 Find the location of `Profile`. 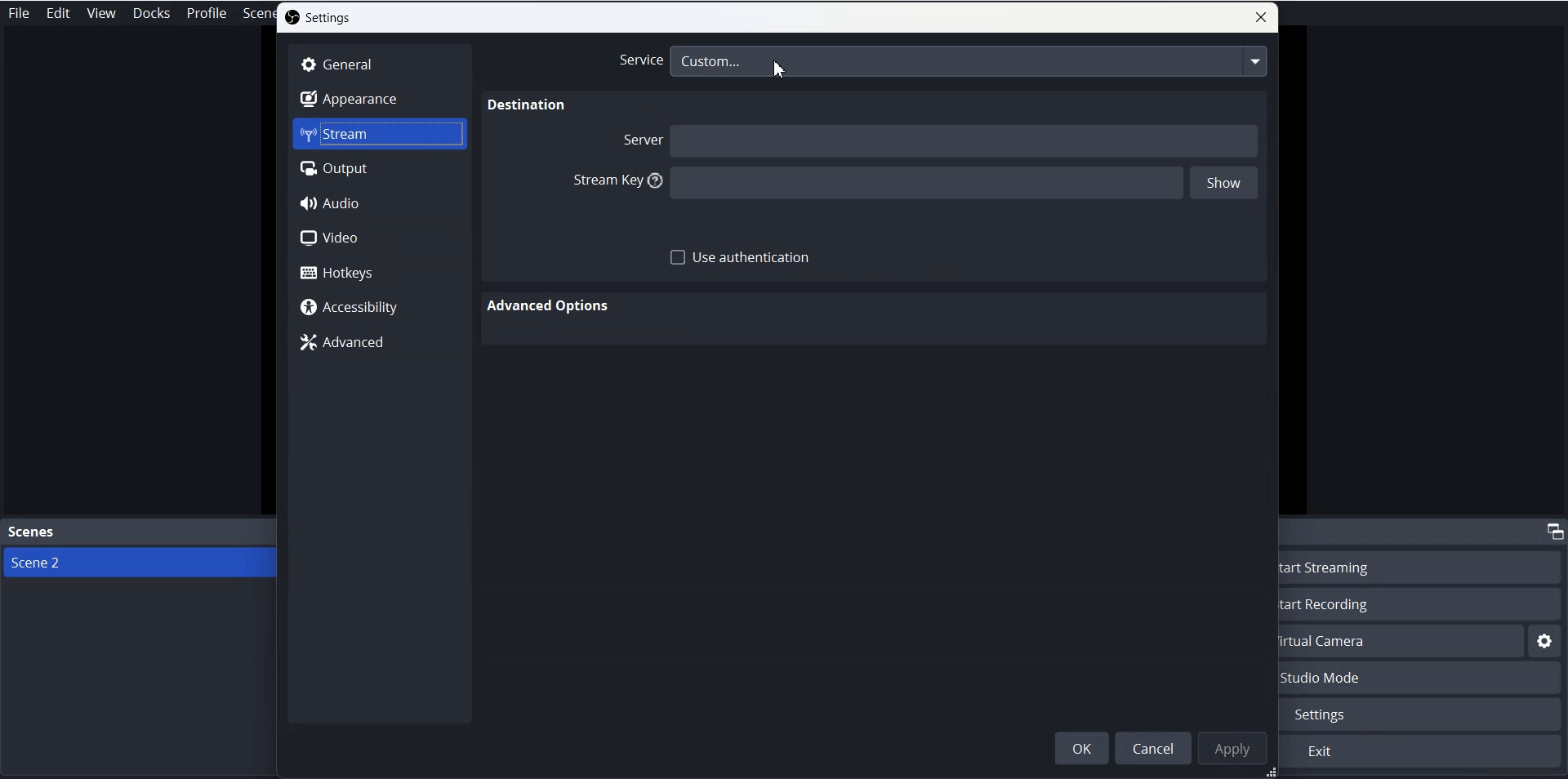

Profile is located at coordinates (207, 13).